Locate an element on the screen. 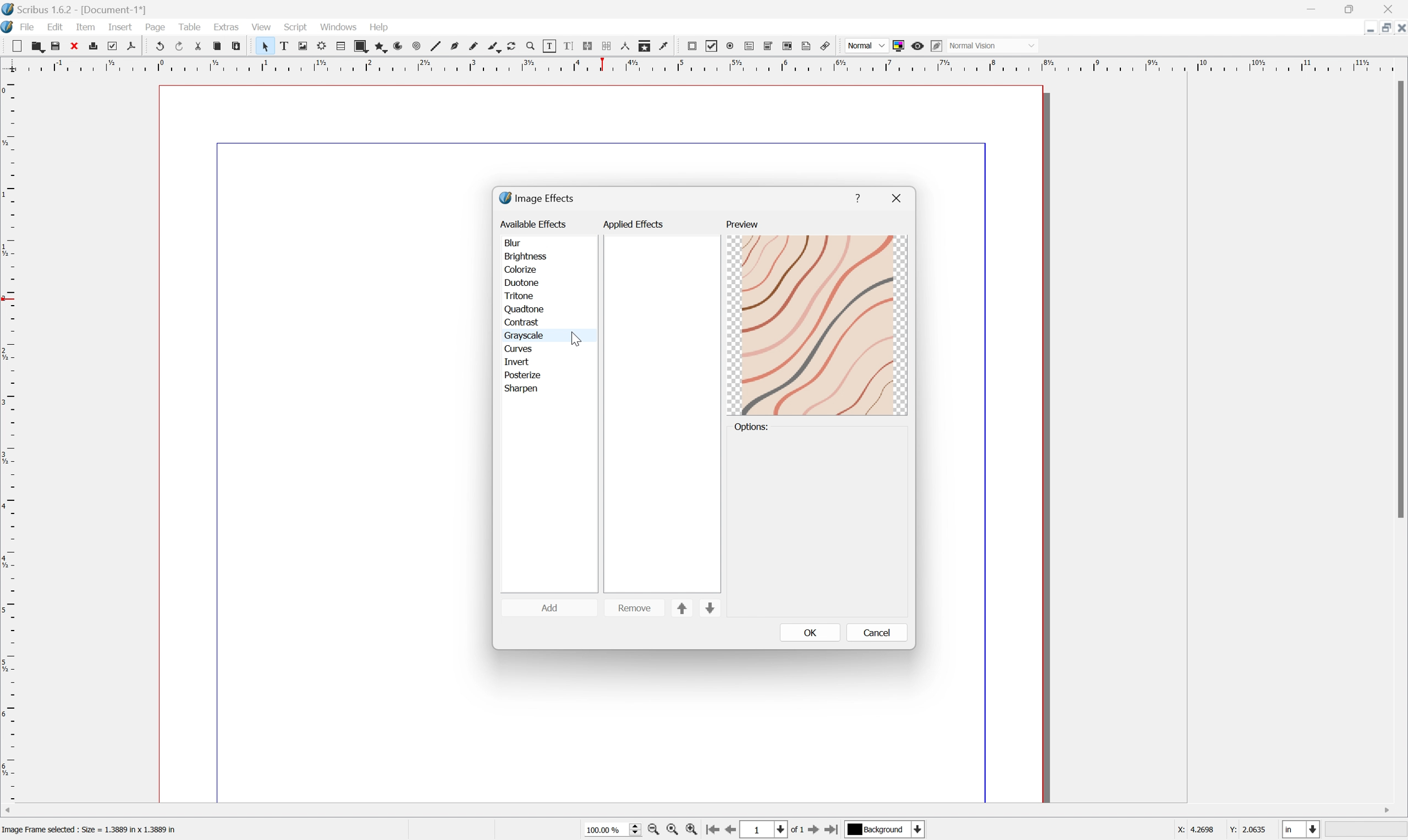  cancel is located at coordinates (878, 632).